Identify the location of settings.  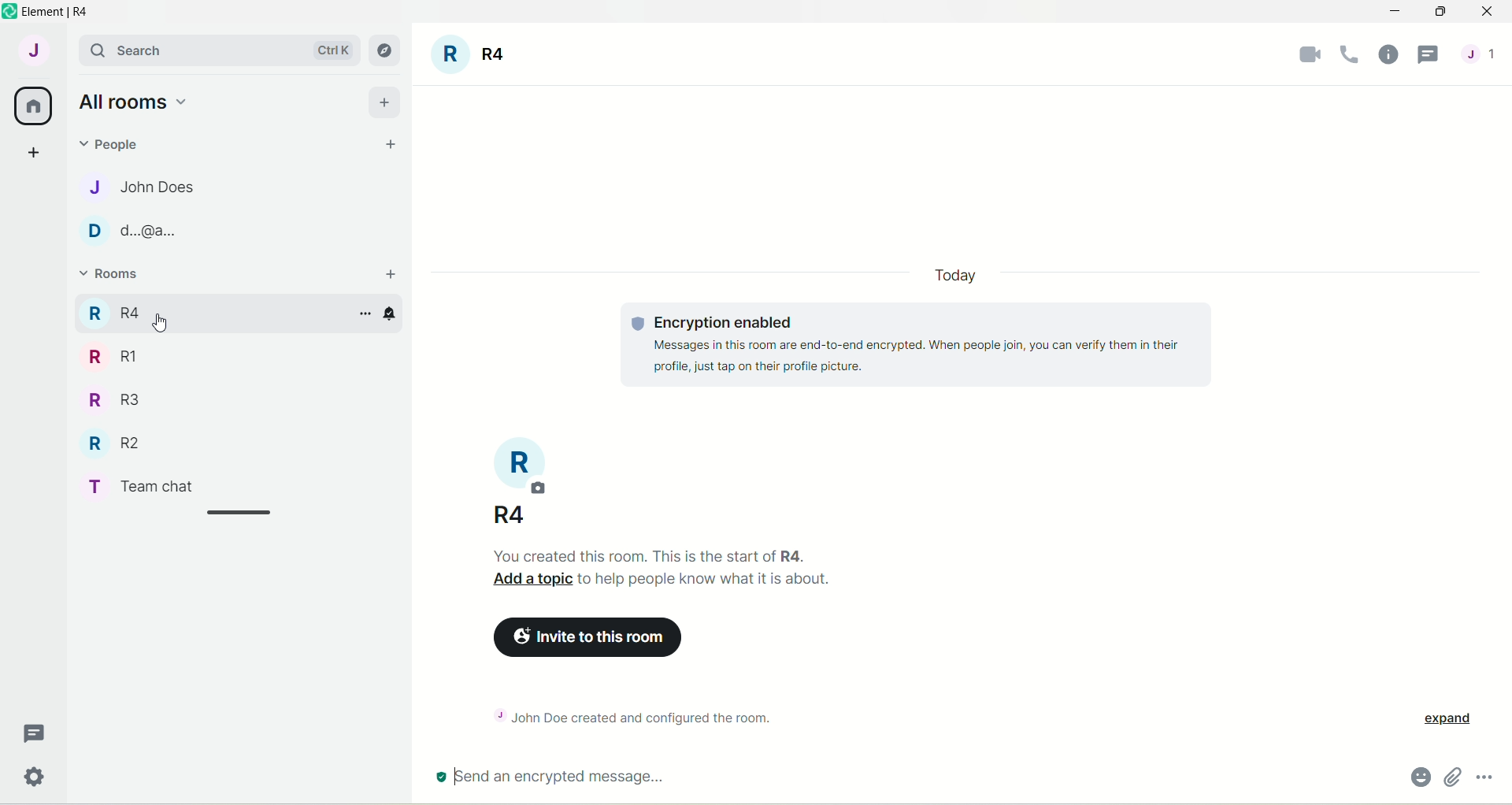
(37, 780).